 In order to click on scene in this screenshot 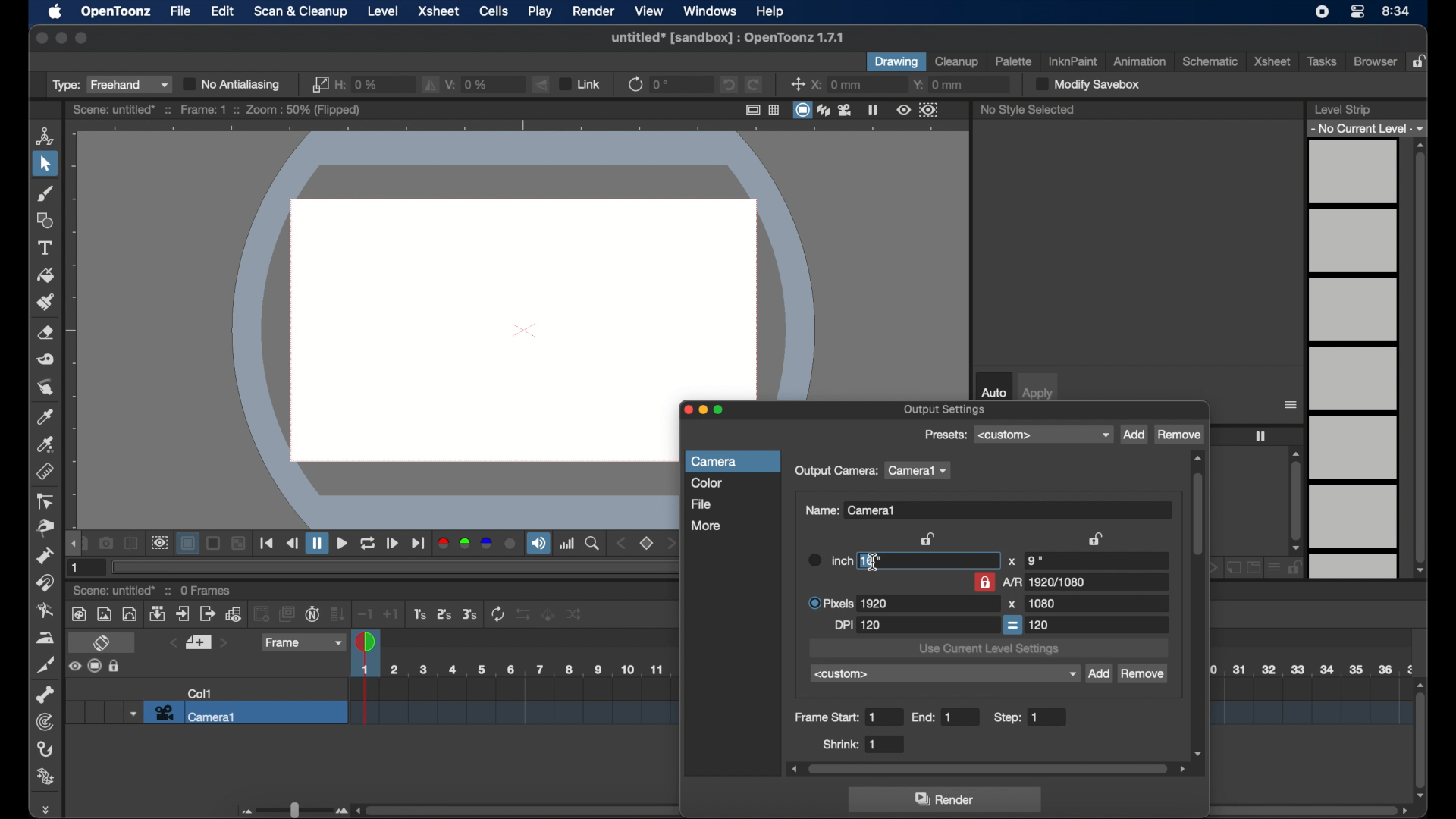, I will do `click(115, 591)`.